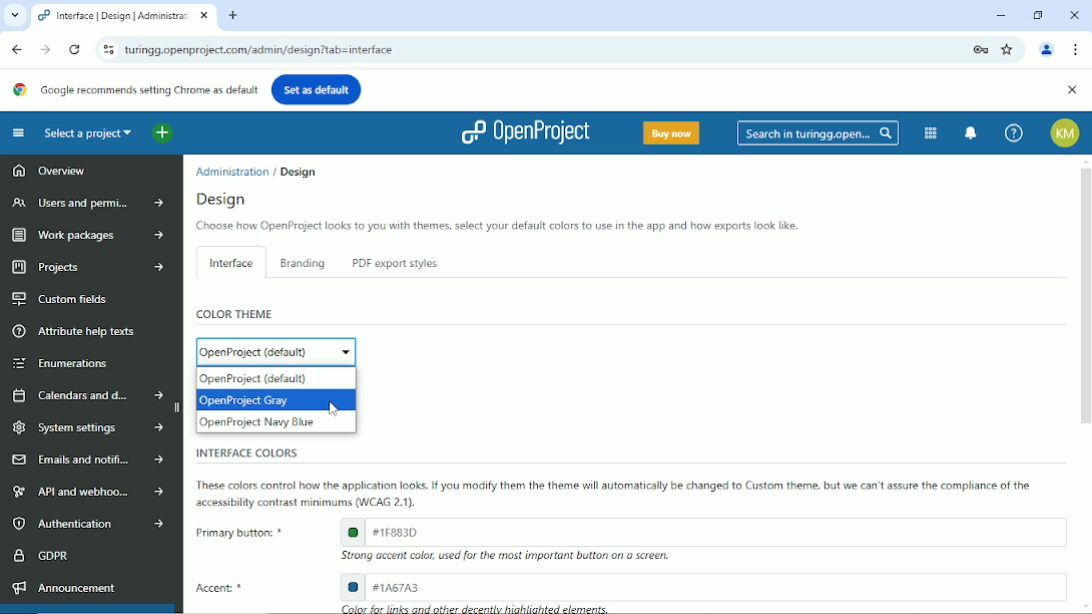  I want to click on Branding, so click(303, 263).